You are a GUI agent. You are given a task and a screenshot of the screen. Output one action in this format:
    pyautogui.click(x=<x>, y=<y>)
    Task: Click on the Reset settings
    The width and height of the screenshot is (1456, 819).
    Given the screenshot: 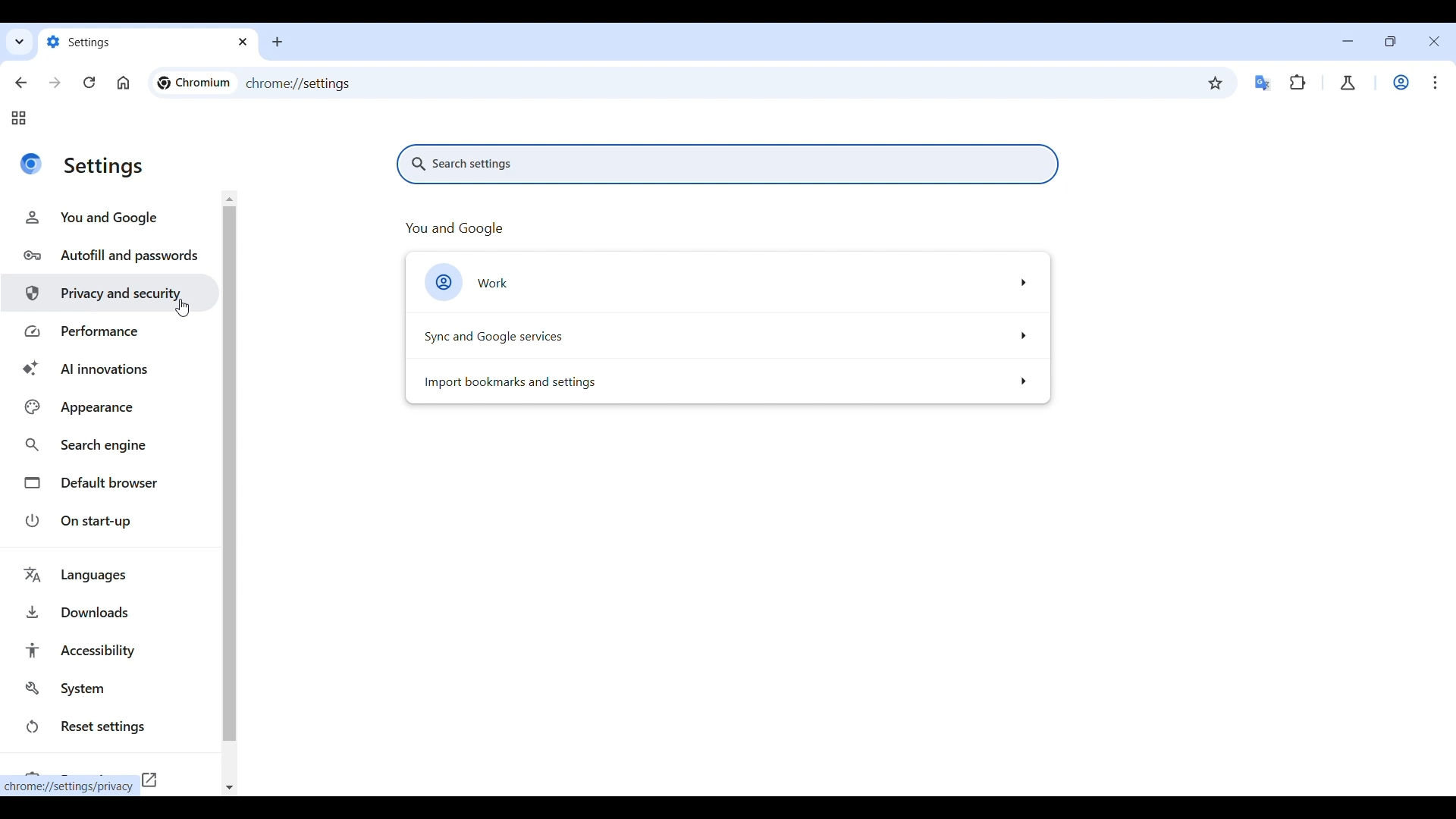 What is the action you would take?
    pyautogui.click(x=109, y=726)
    